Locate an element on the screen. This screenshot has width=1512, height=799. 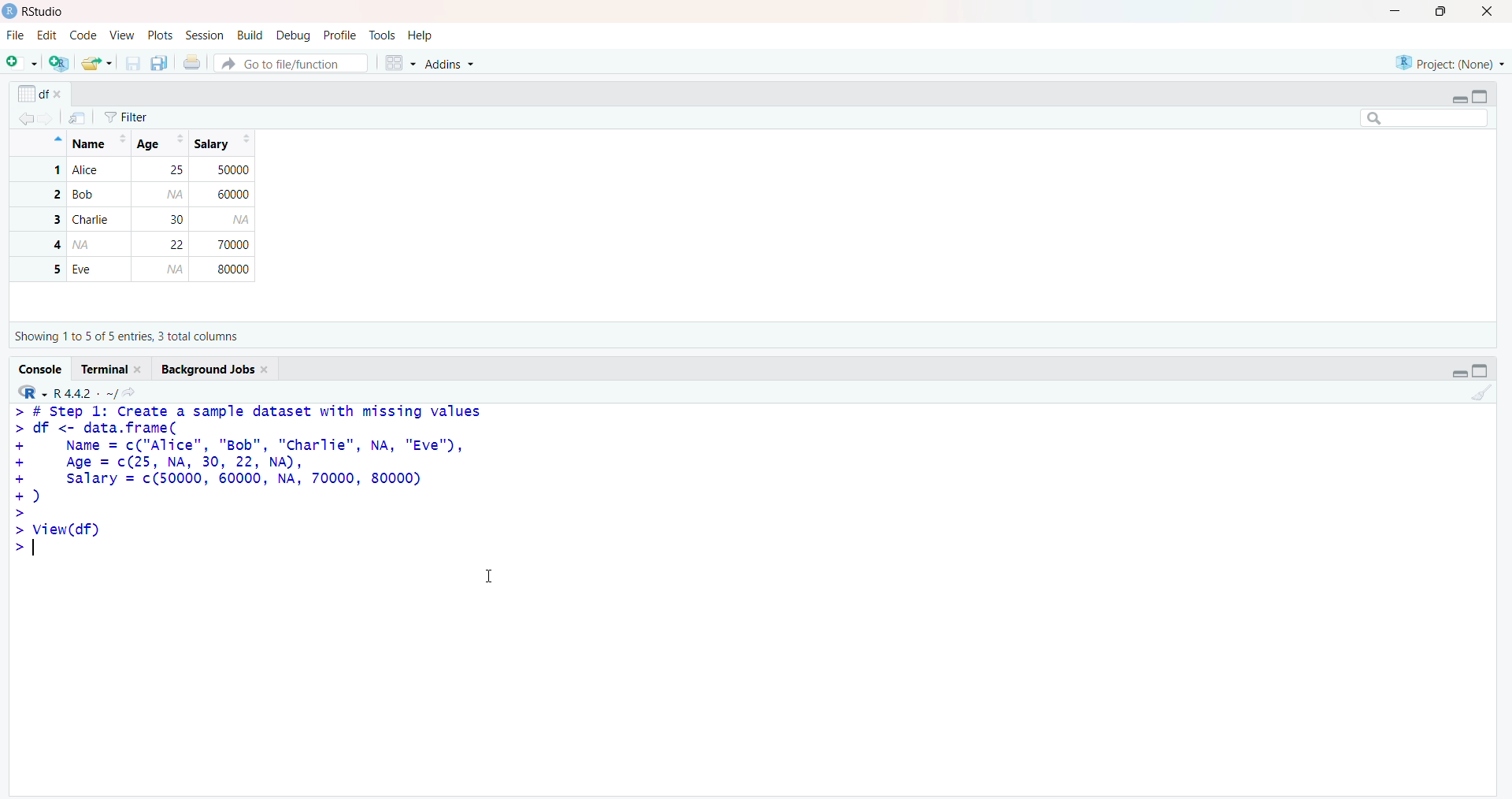
Print the current file is located at coordinates (194, 61).